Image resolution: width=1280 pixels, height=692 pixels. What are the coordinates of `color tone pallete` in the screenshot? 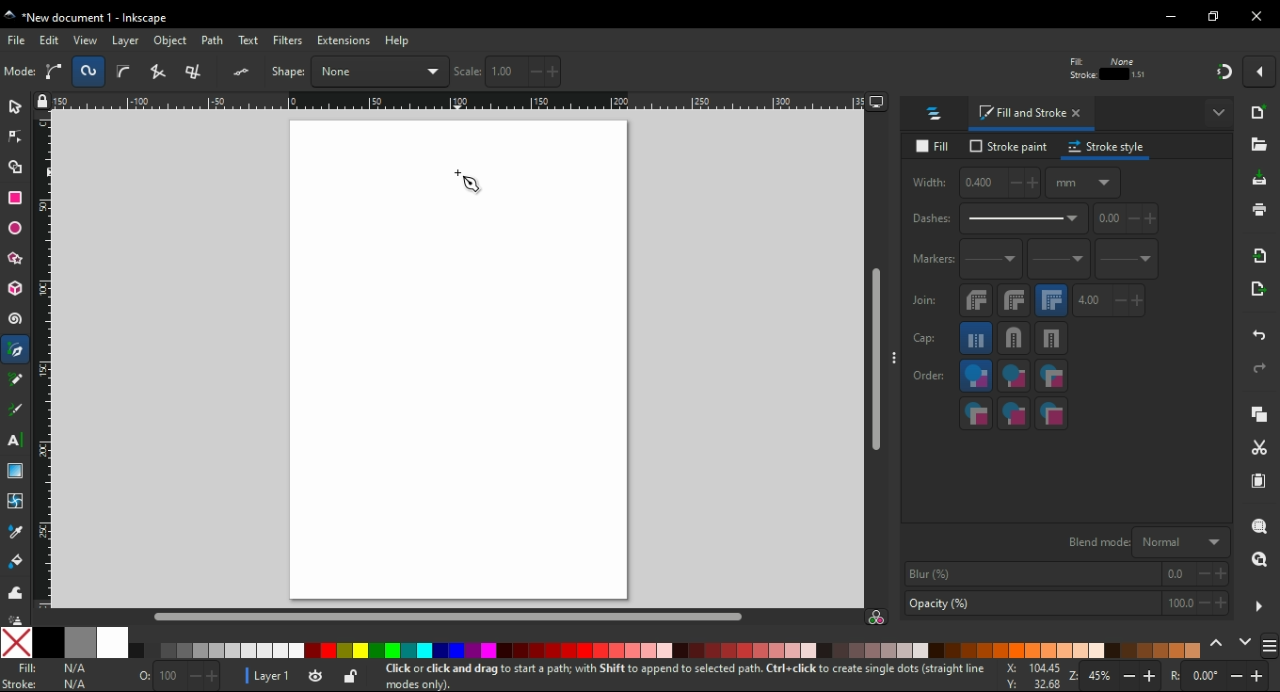 It's located at (219, 651).